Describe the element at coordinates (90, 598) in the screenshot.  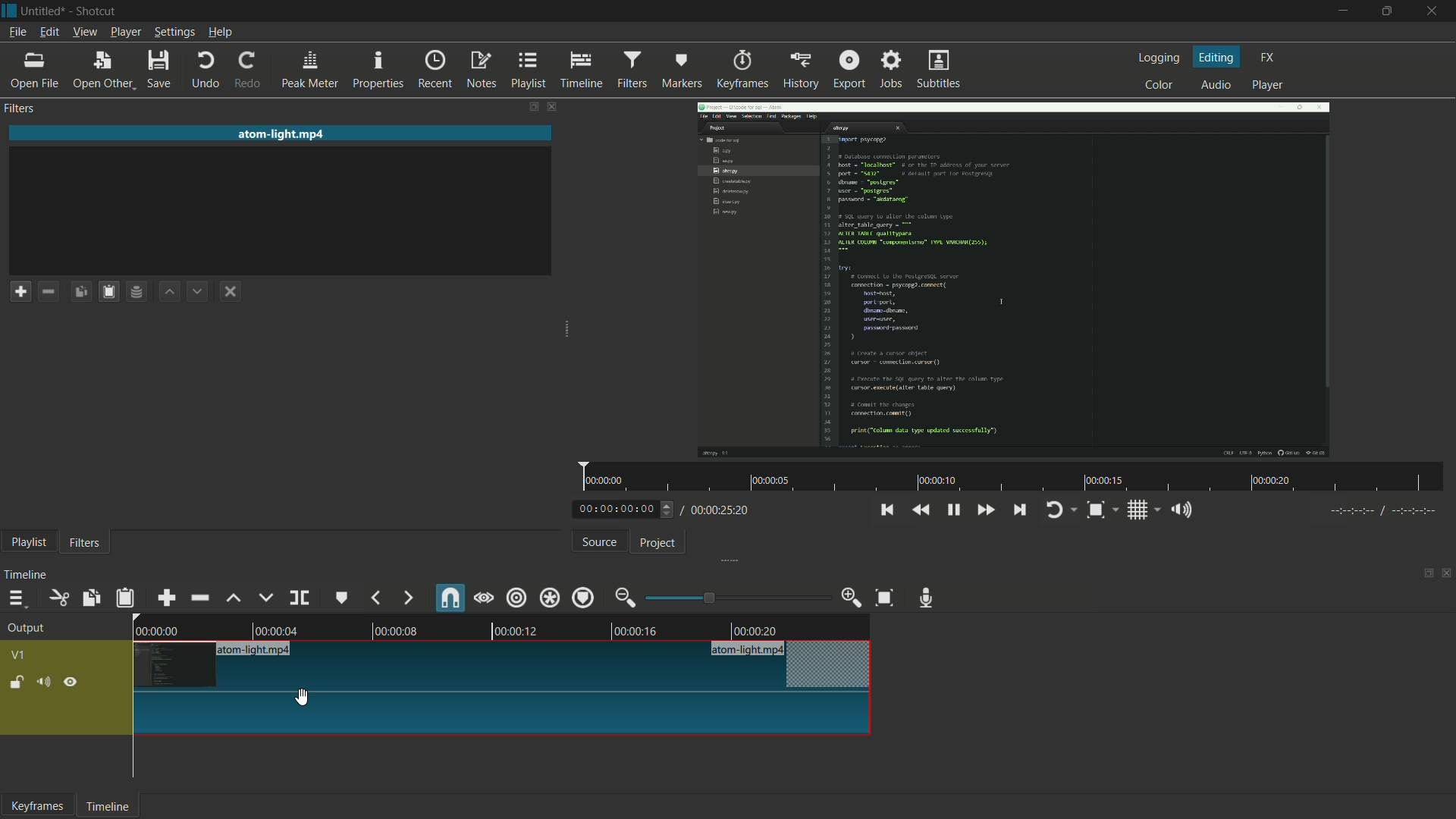
I see `copy` at that location.